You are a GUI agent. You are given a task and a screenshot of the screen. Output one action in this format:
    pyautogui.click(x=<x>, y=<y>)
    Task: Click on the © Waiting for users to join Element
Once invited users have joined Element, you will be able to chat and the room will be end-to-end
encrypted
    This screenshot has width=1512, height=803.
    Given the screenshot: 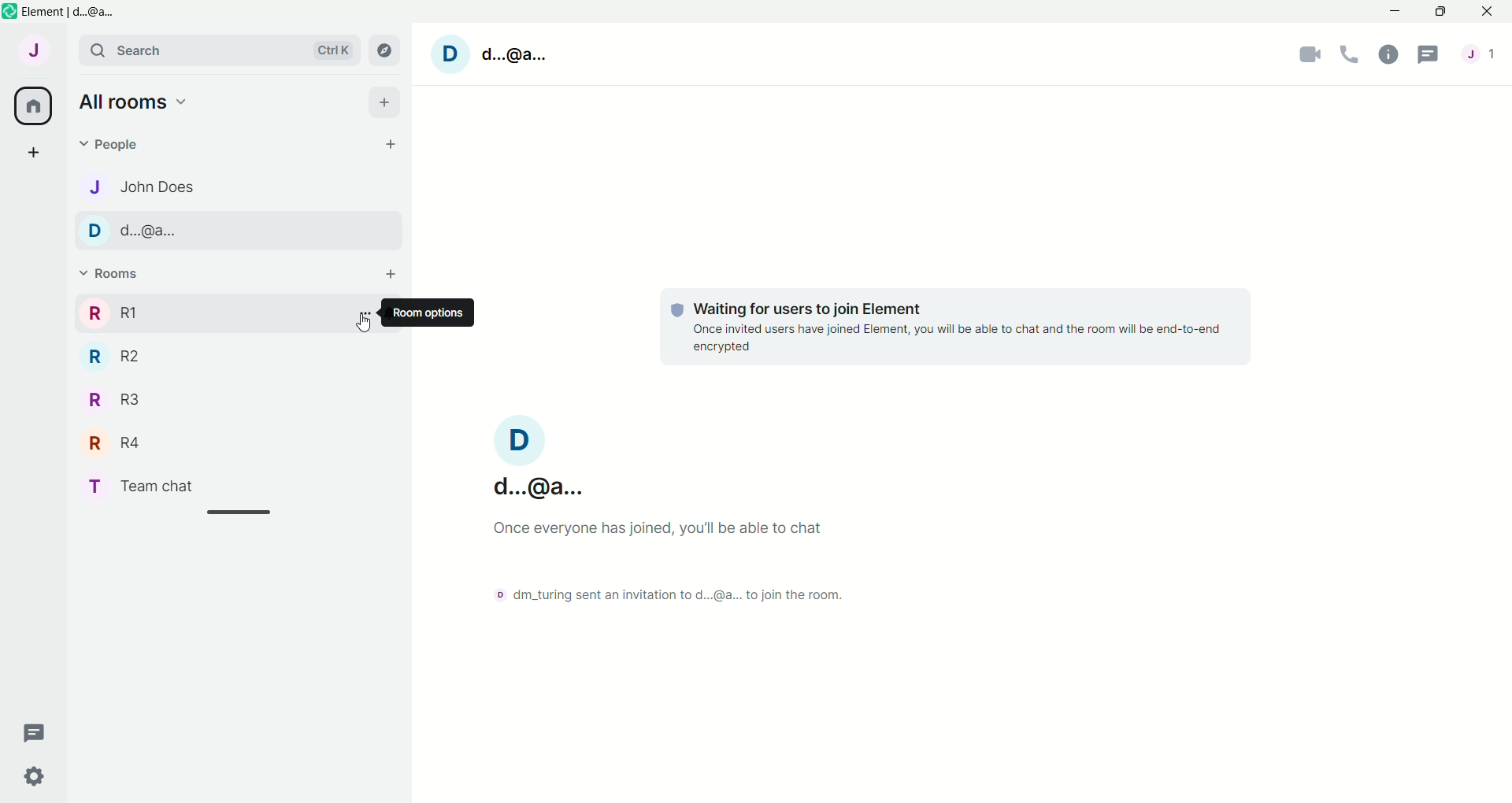 What is the action you would take?
    pyautogui.click(x=954, y=324)
    